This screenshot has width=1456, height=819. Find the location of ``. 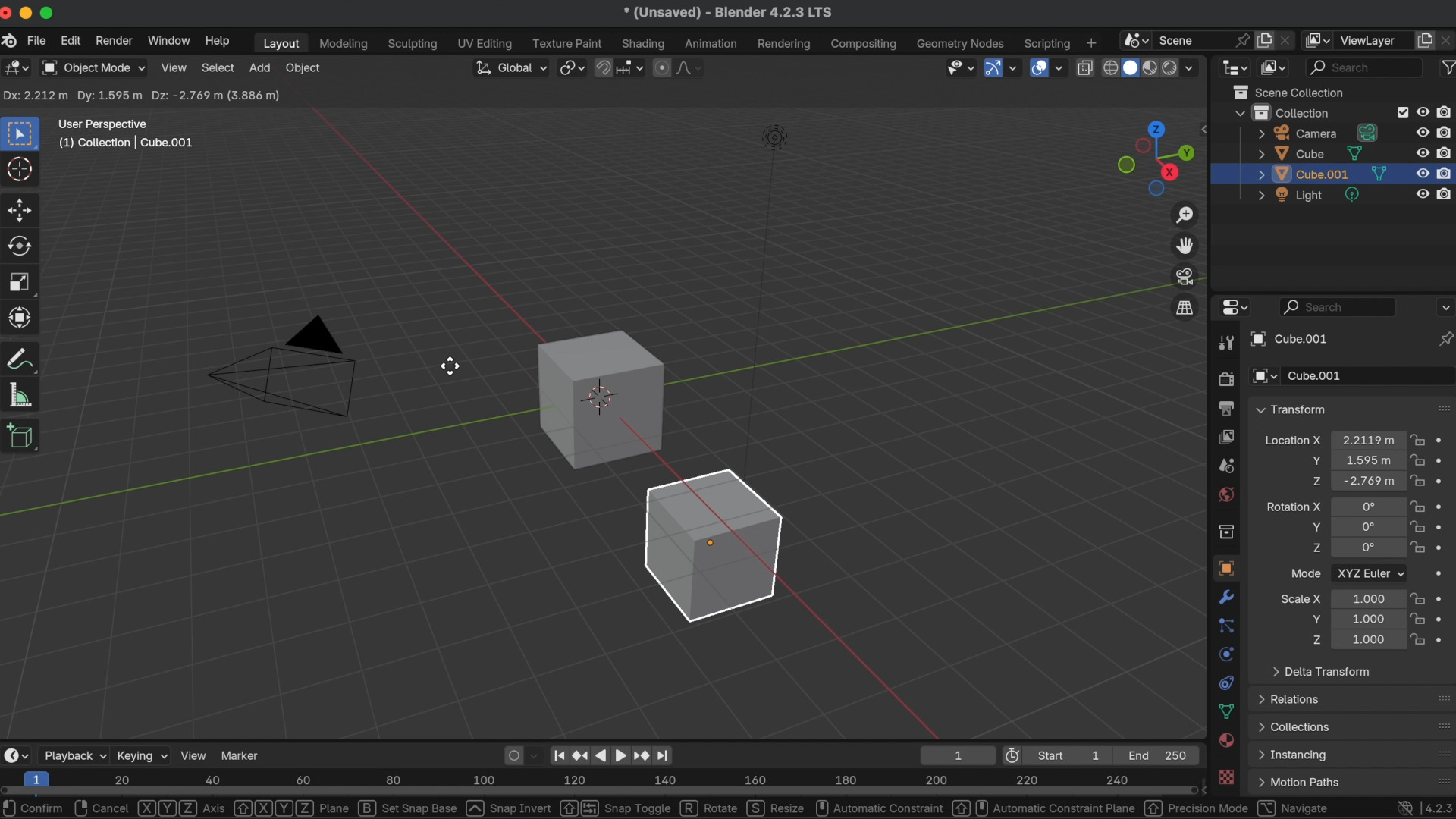

 is located at coordinates (1298, 783).